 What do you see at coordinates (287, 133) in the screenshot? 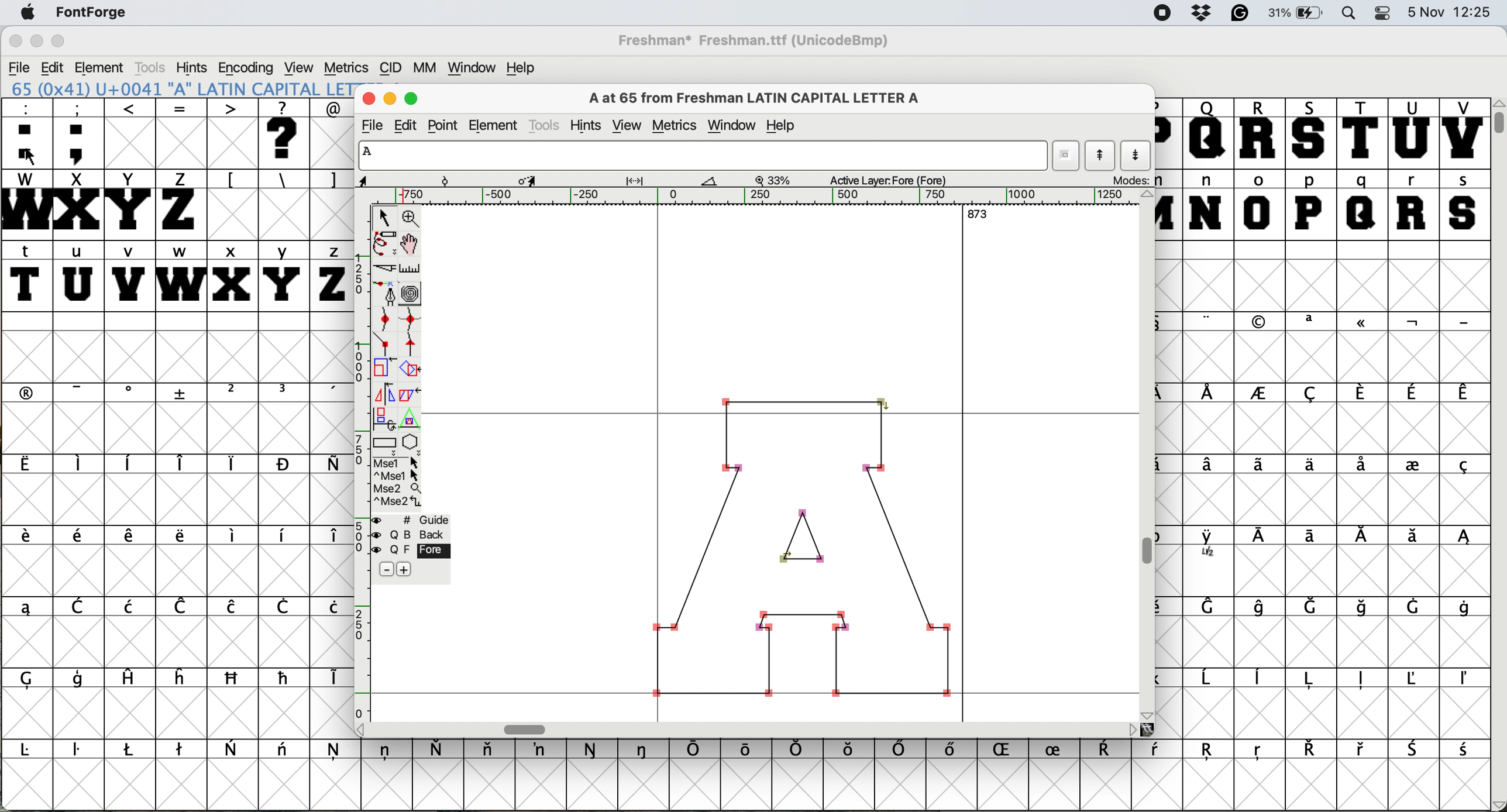
I see `?` at bounding box center [287, 133].